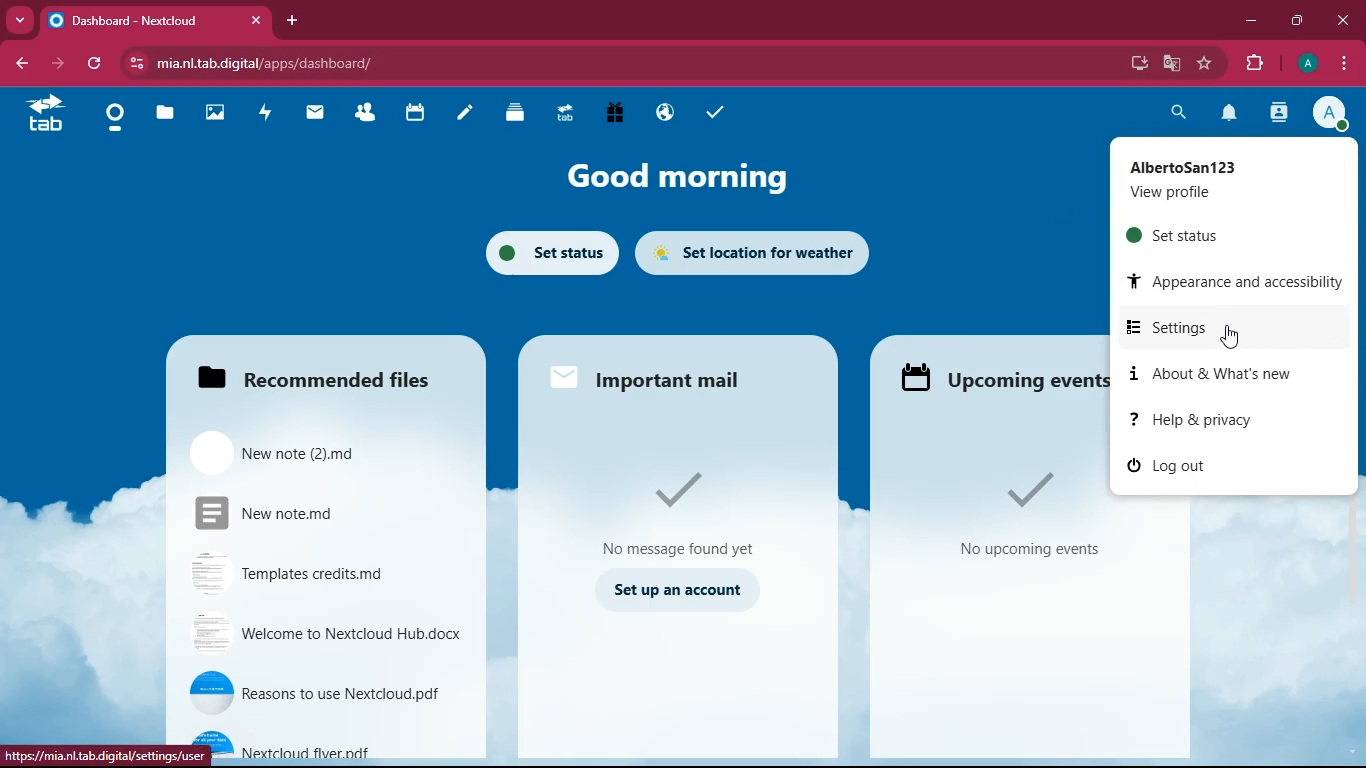 The width and height of the screenshot is (1366, 768). I want to click on refresh, so click(96, 62).